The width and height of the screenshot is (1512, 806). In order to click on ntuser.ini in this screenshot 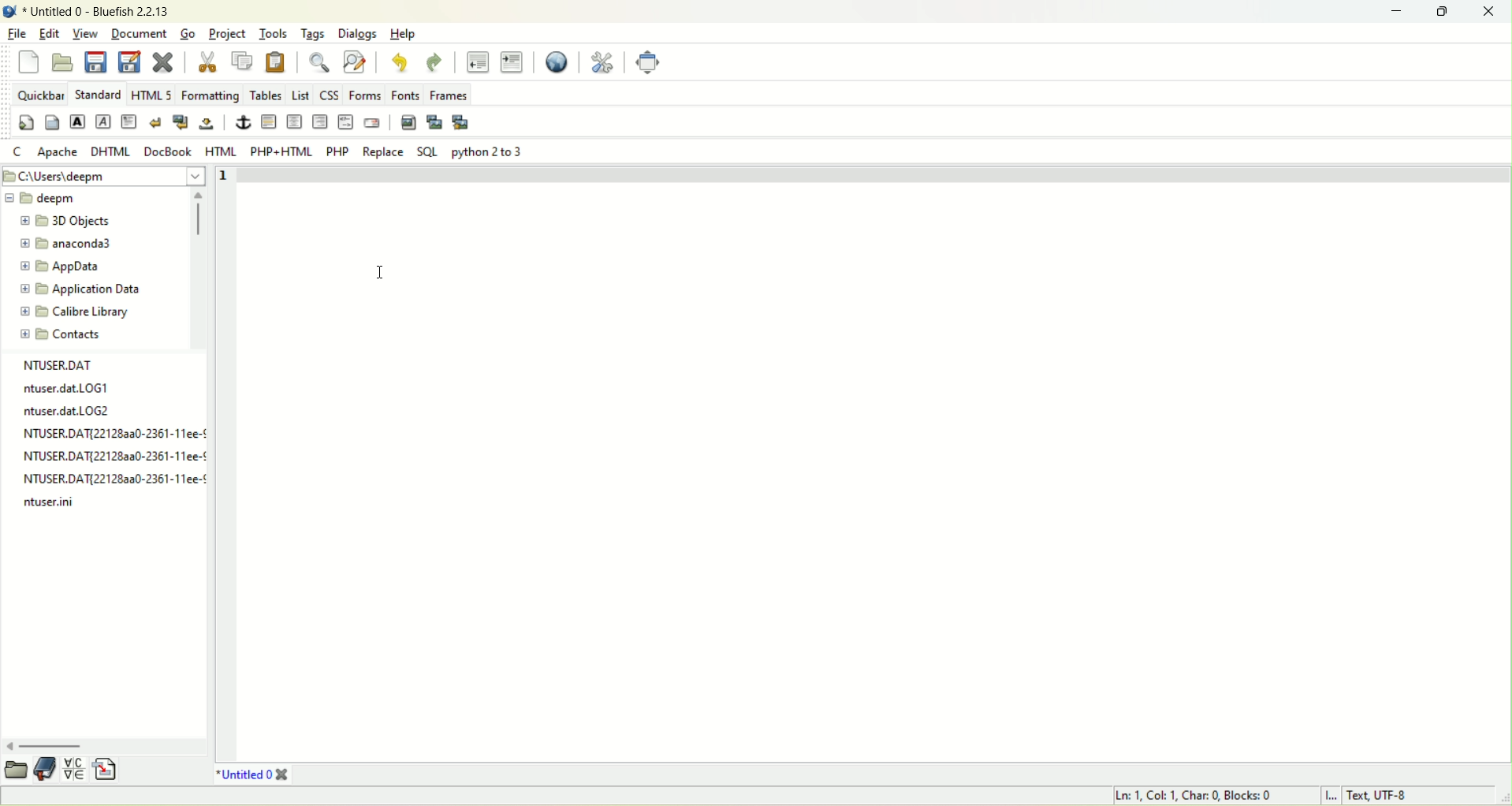, I will do `click(61, 504)`.